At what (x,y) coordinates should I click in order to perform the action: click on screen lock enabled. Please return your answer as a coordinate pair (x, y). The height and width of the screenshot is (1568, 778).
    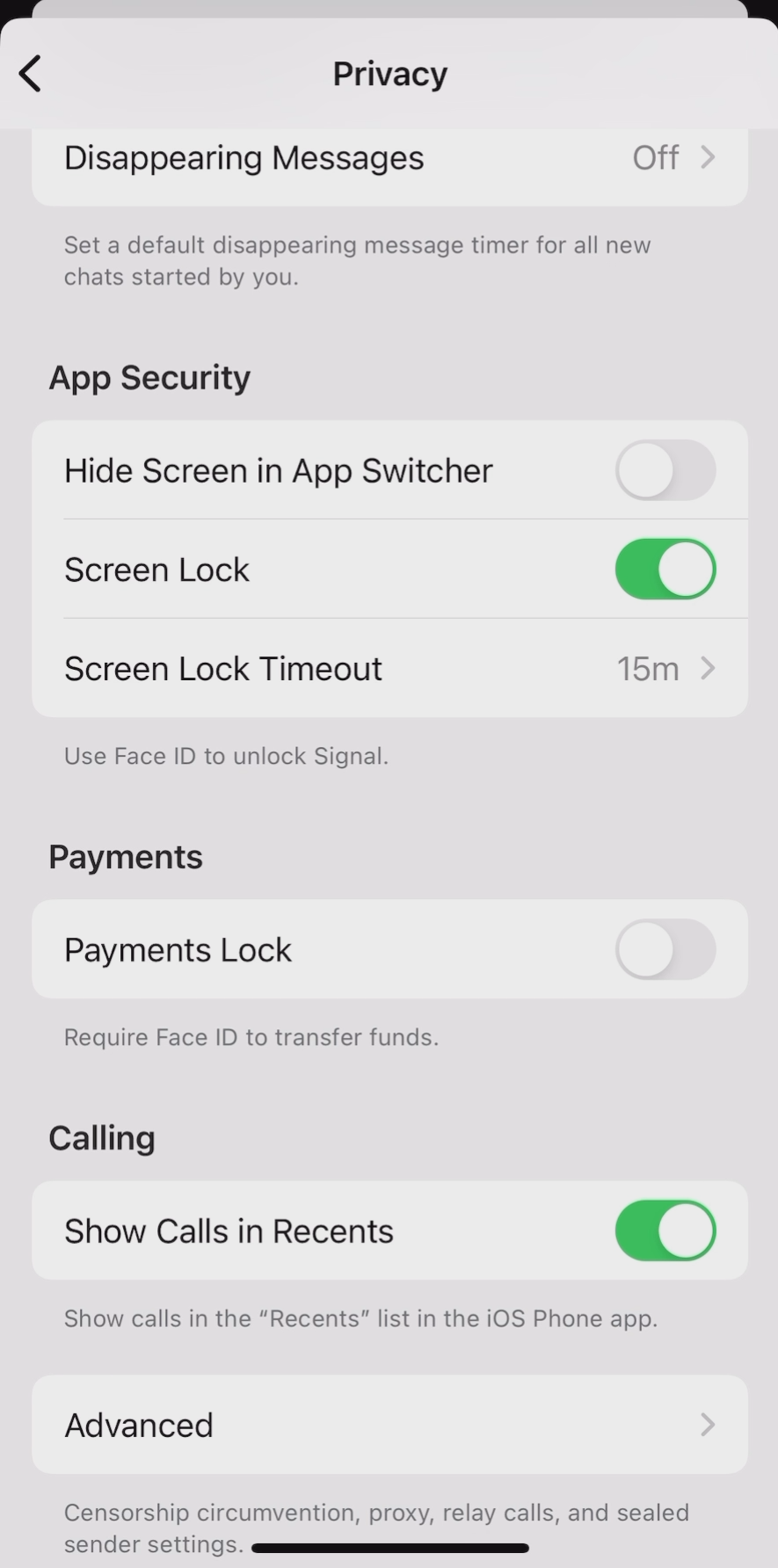
    Looking at the image, I should click on (392, 577).